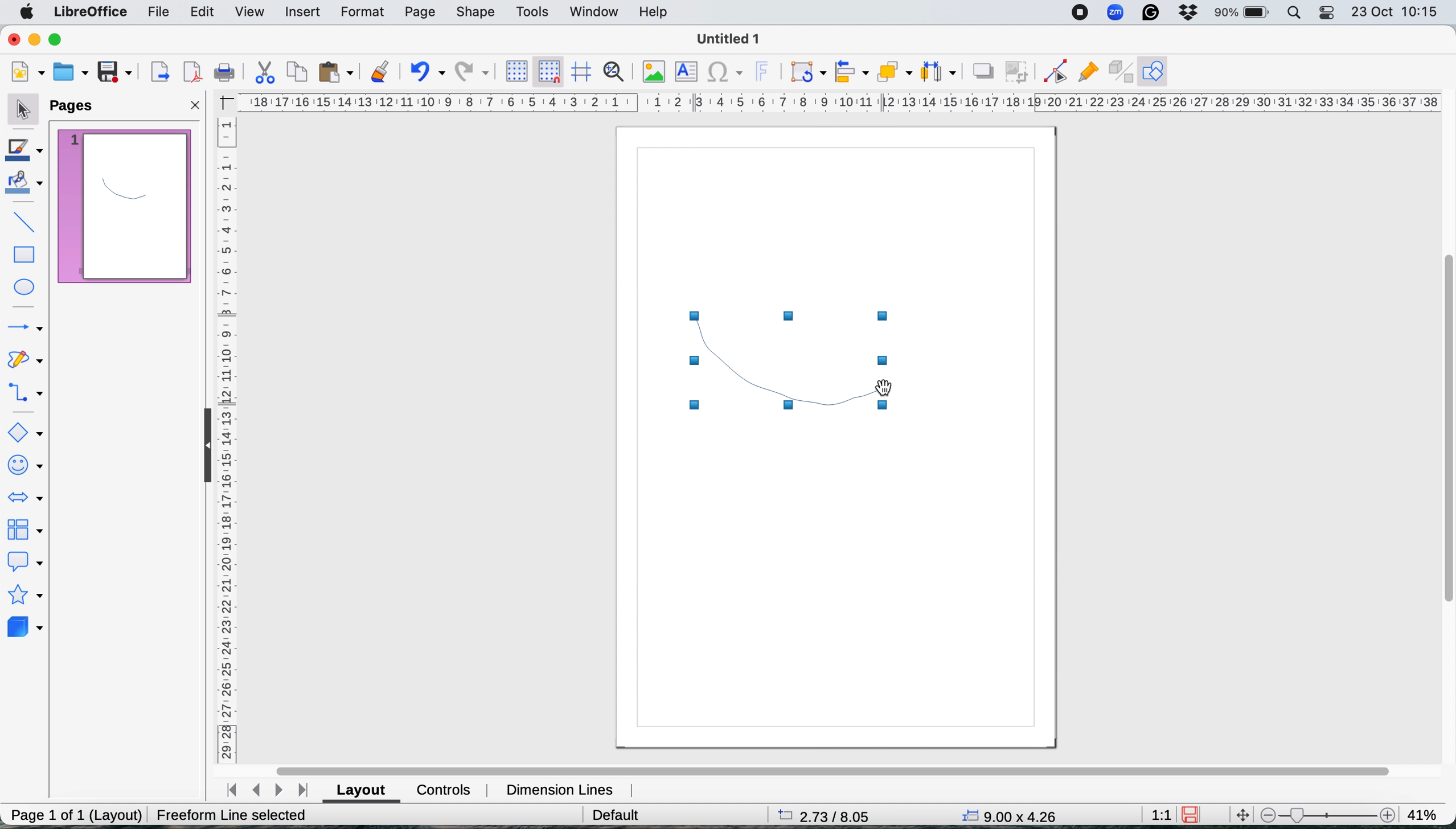 The width and height of the screenshot is (1456, 829). Describe the element at coordinates (580, 72) in the screenshot. I see `helplines when moving` at that location.